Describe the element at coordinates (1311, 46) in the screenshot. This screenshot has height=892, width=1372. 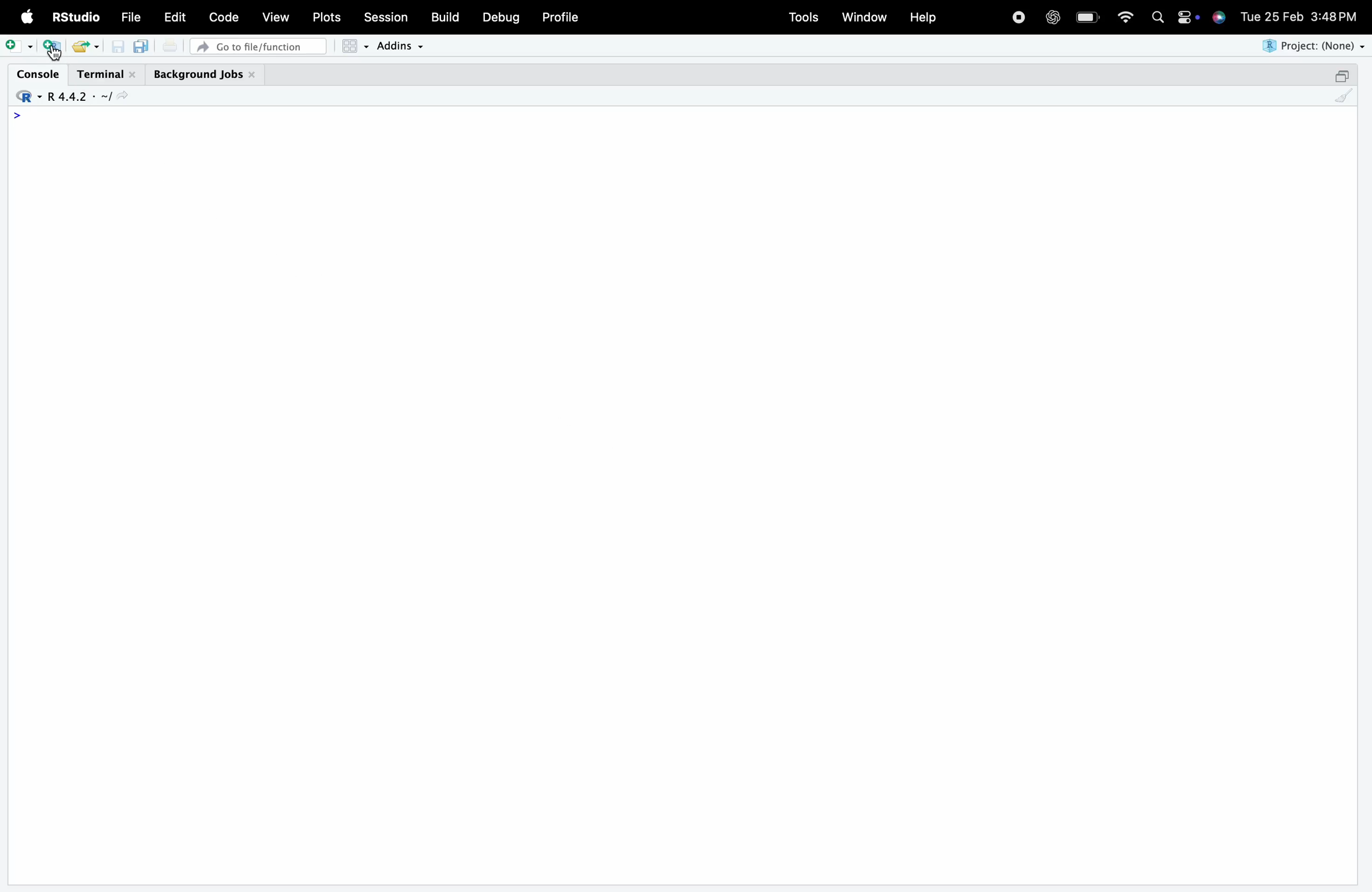
I see `Project: (None)` at that location.